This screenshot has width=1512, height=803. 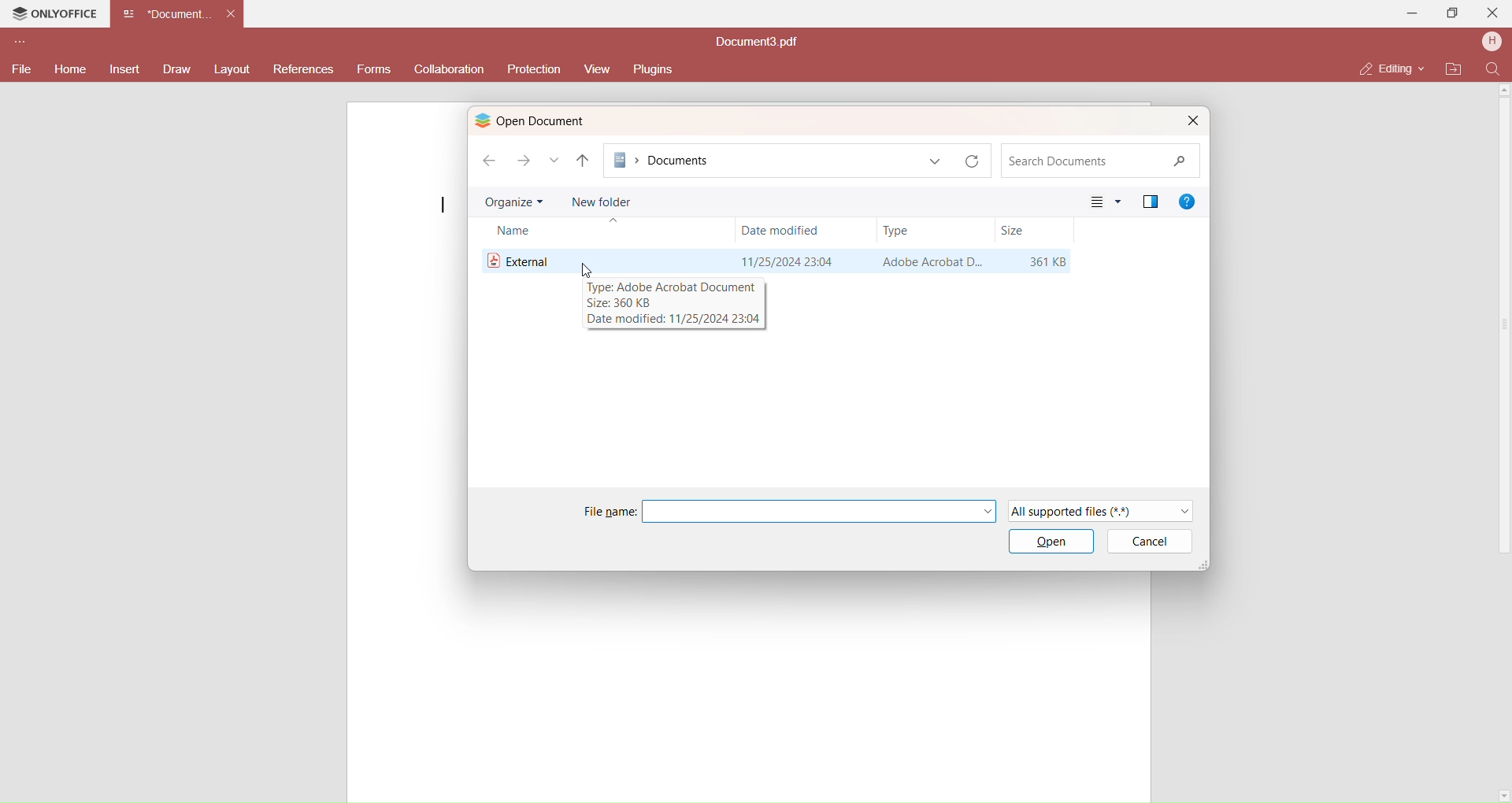 What do you see at coordinates (176, 69) in the screenshot?
I see `Draw` at bounding box center [176, 69].